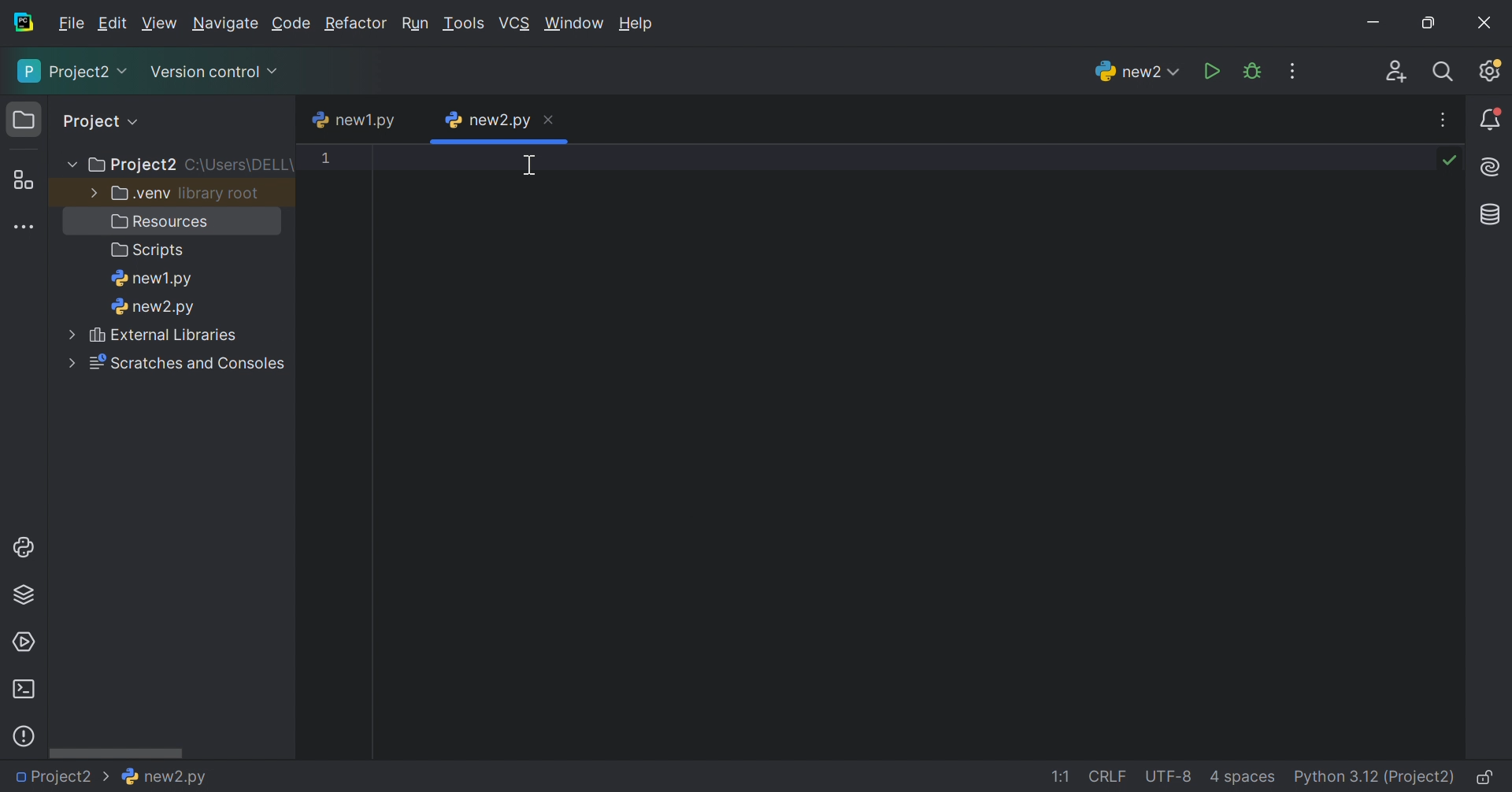  Describe the element at coordinates (24, 641) in the screenshot. I see `Services` at that location.